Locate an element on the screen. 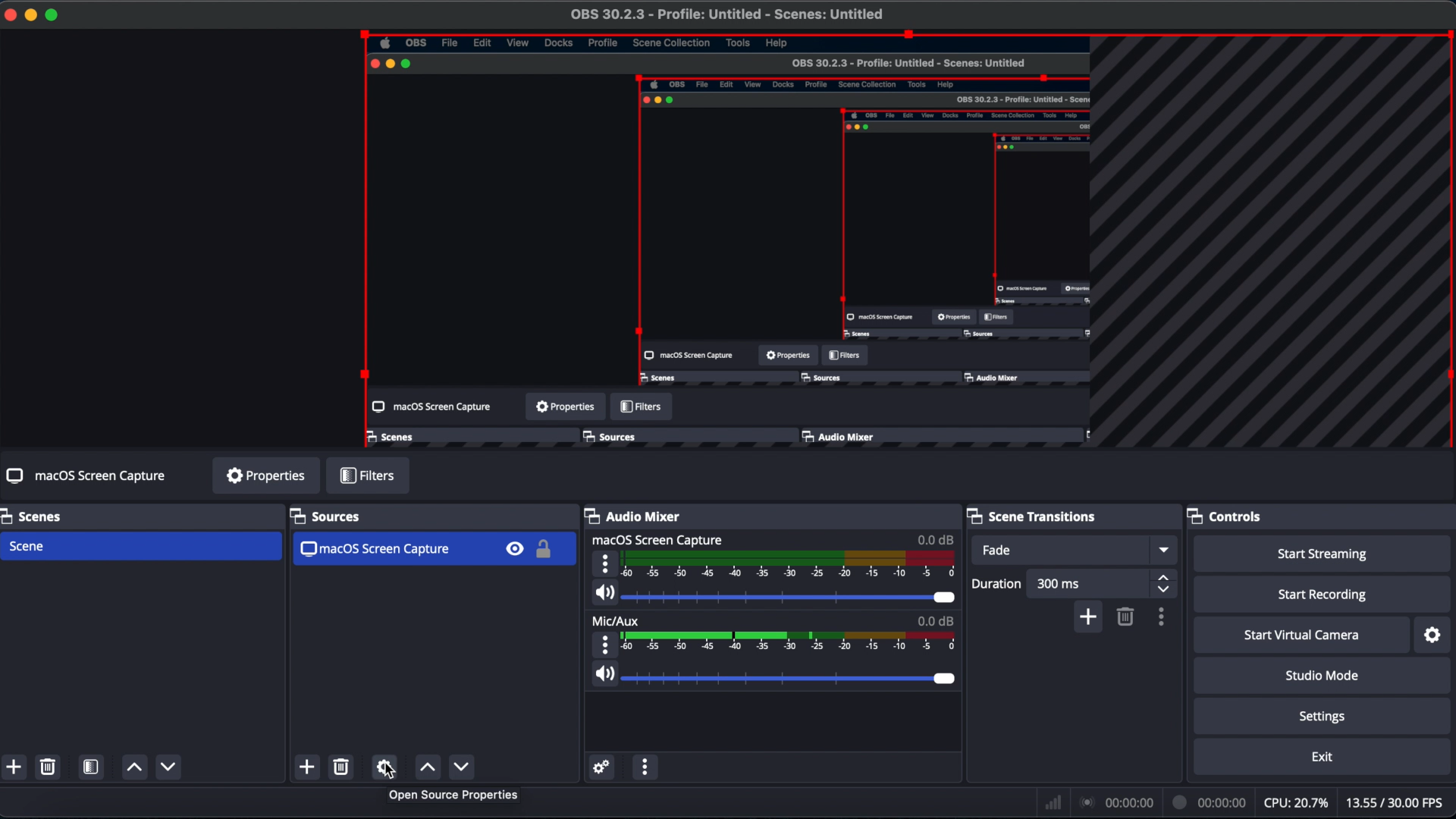  mic/aux is located at coordinates (617, 620).